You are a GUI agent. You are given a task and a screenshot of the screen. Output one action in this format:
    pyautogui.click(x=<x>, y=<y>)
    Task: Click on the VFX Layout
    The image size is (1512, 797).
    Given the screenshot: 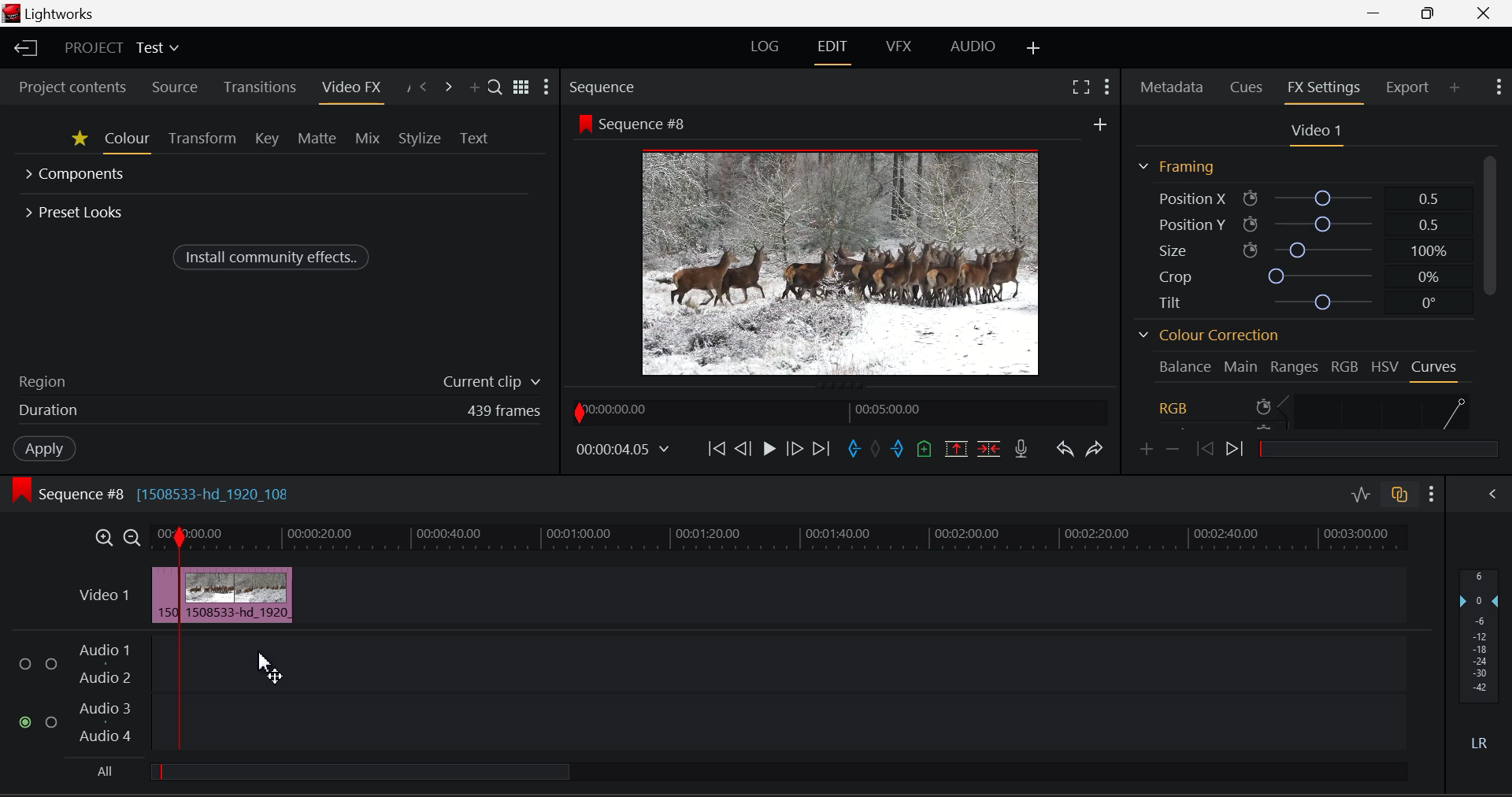 What is the action you would take?
    pyautogui.click(x=897, y=48)
    